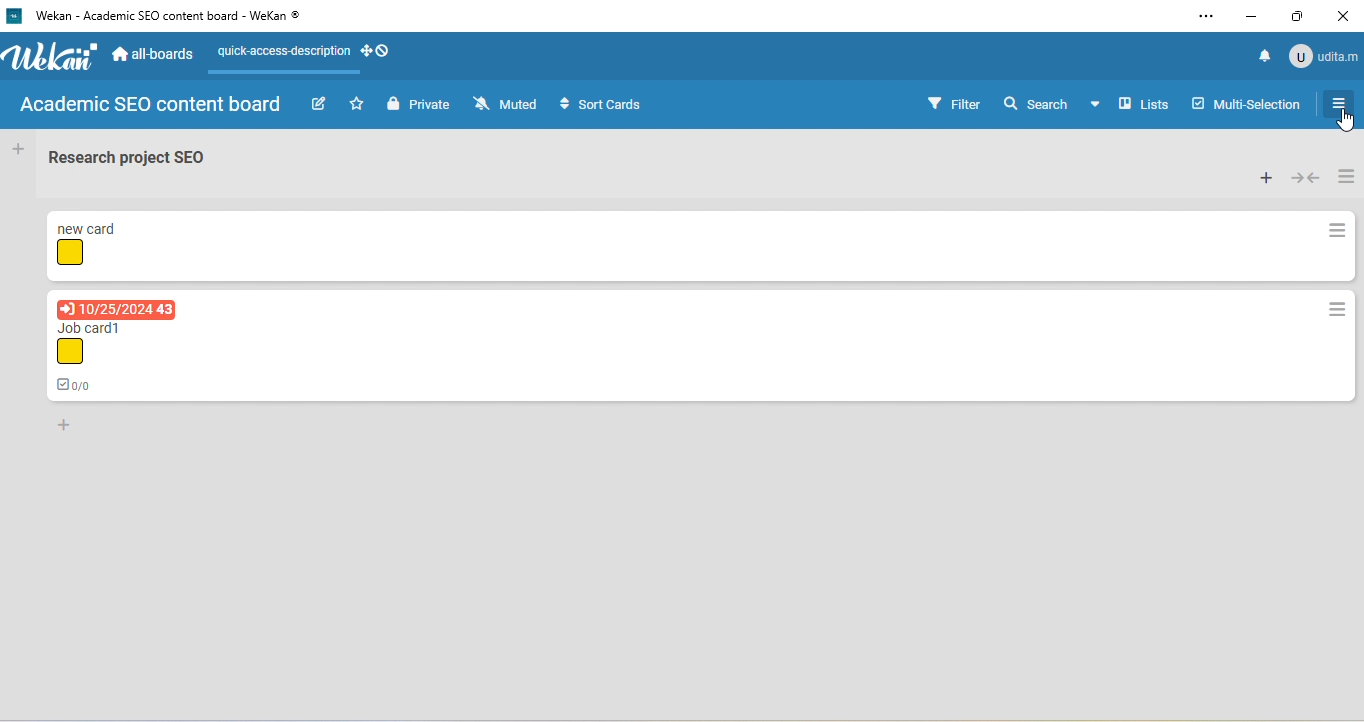 This screenshot has width=1364, height=722. I want to click on close, so click(1346, 15).